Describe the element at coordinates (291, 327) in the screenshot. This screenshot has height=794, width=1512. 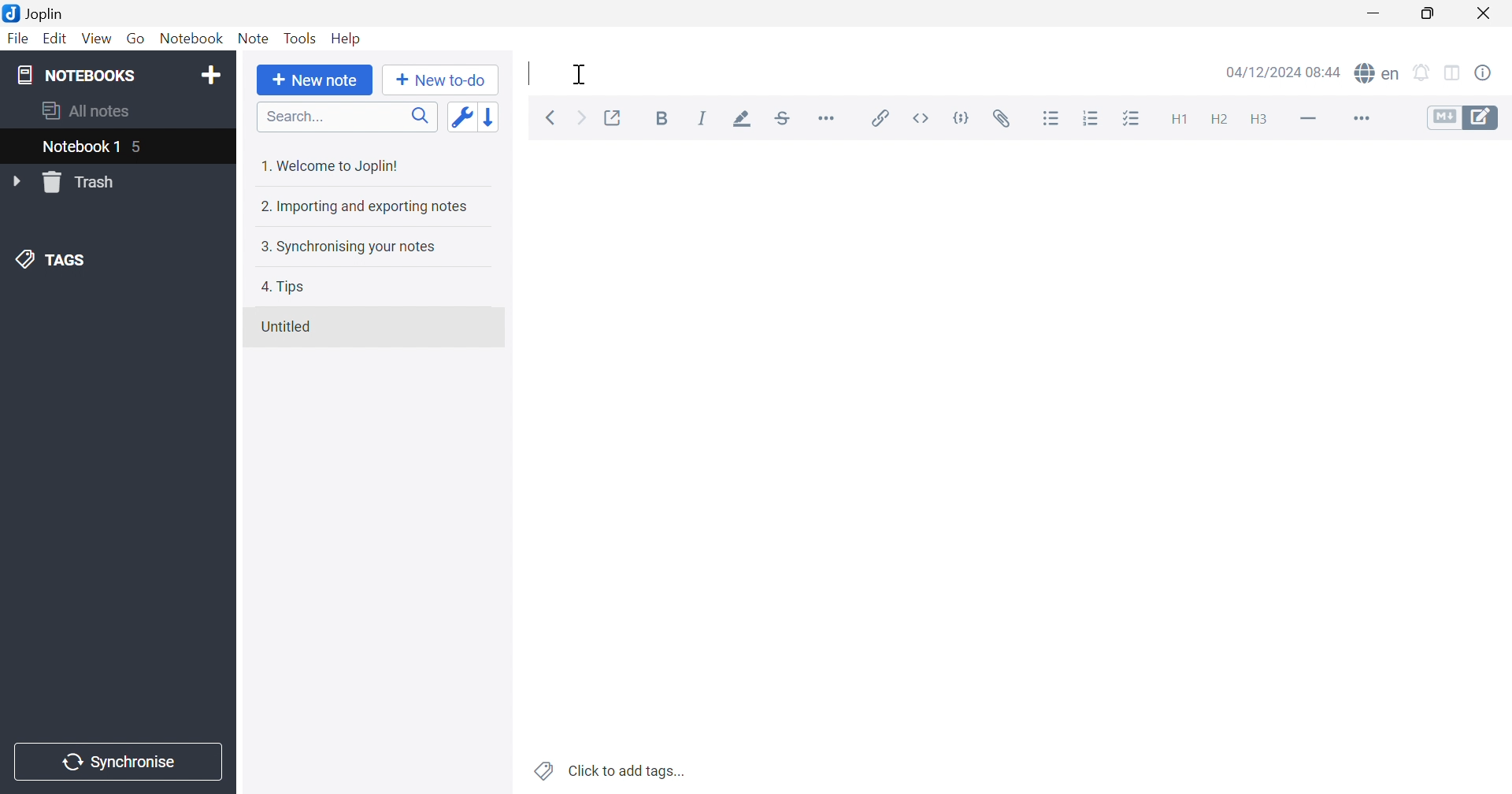
I see `Untitled` at that location.